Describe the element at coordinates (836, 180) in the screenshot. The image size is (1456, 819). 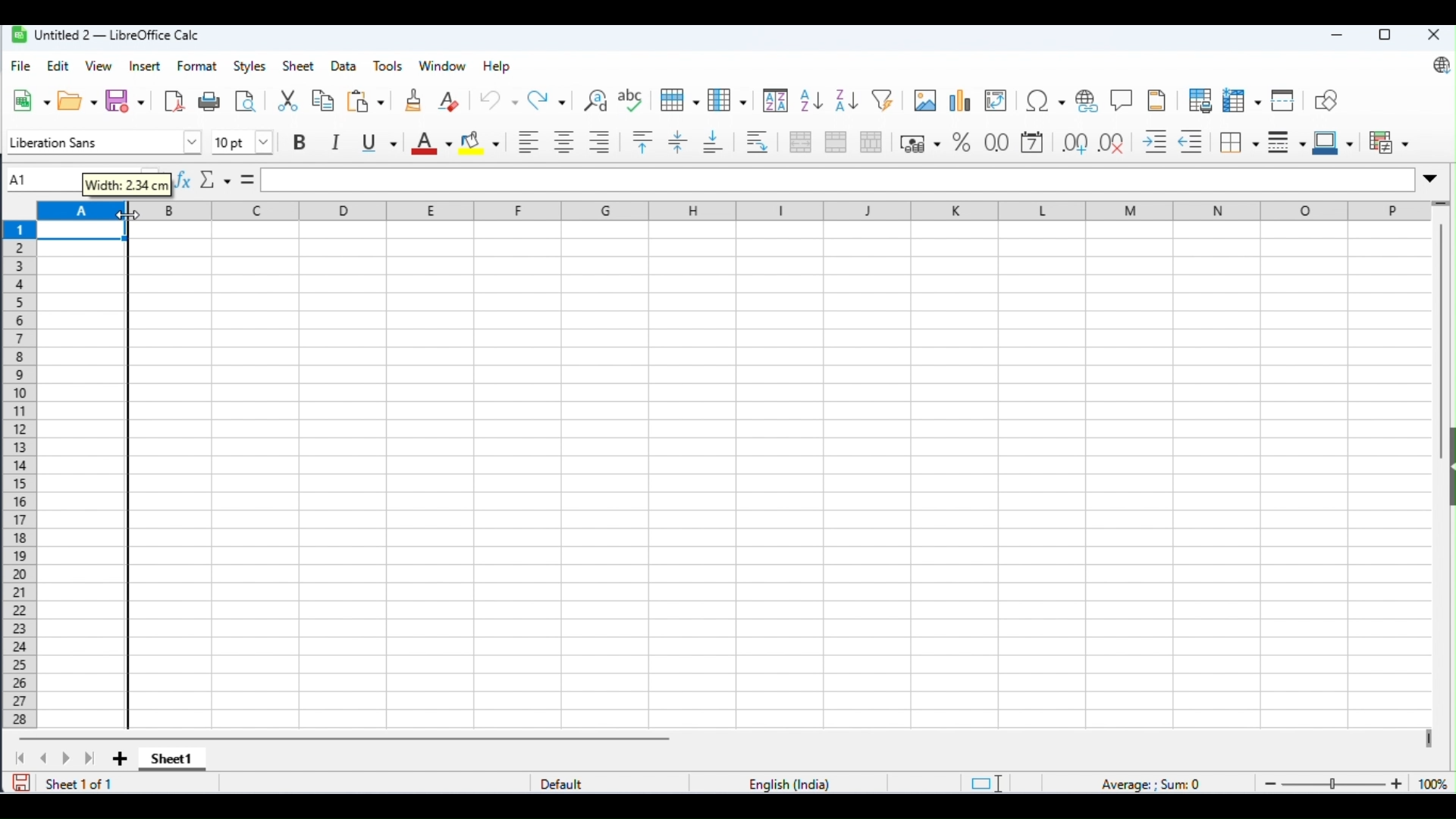
I see `formula bar` at that location.